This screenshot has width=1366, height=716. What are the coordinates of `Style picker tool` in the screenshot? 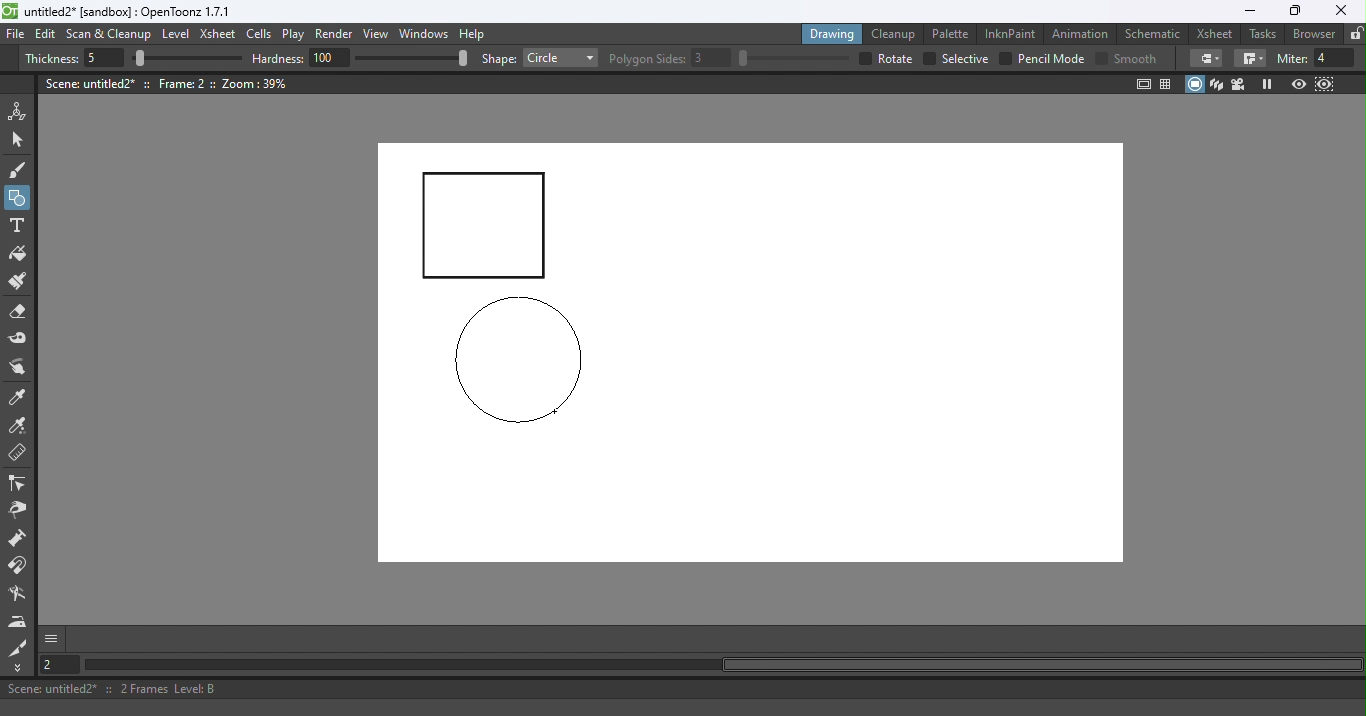 It's located at (19, 398).